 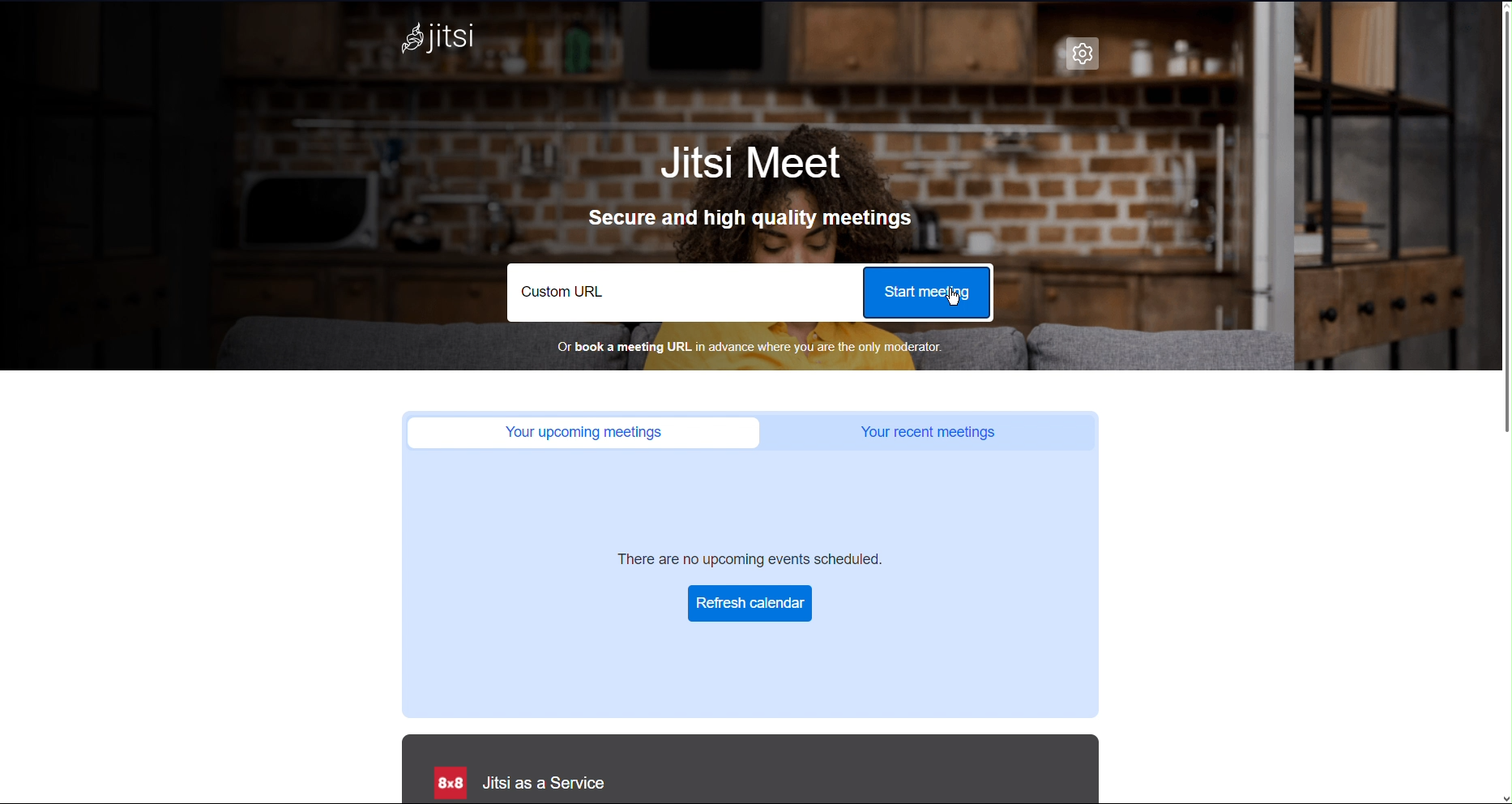 What do you see at coordinates (929, 294) in the screenshot?
I see `Start Meeting` at bounding box center [929, 294].